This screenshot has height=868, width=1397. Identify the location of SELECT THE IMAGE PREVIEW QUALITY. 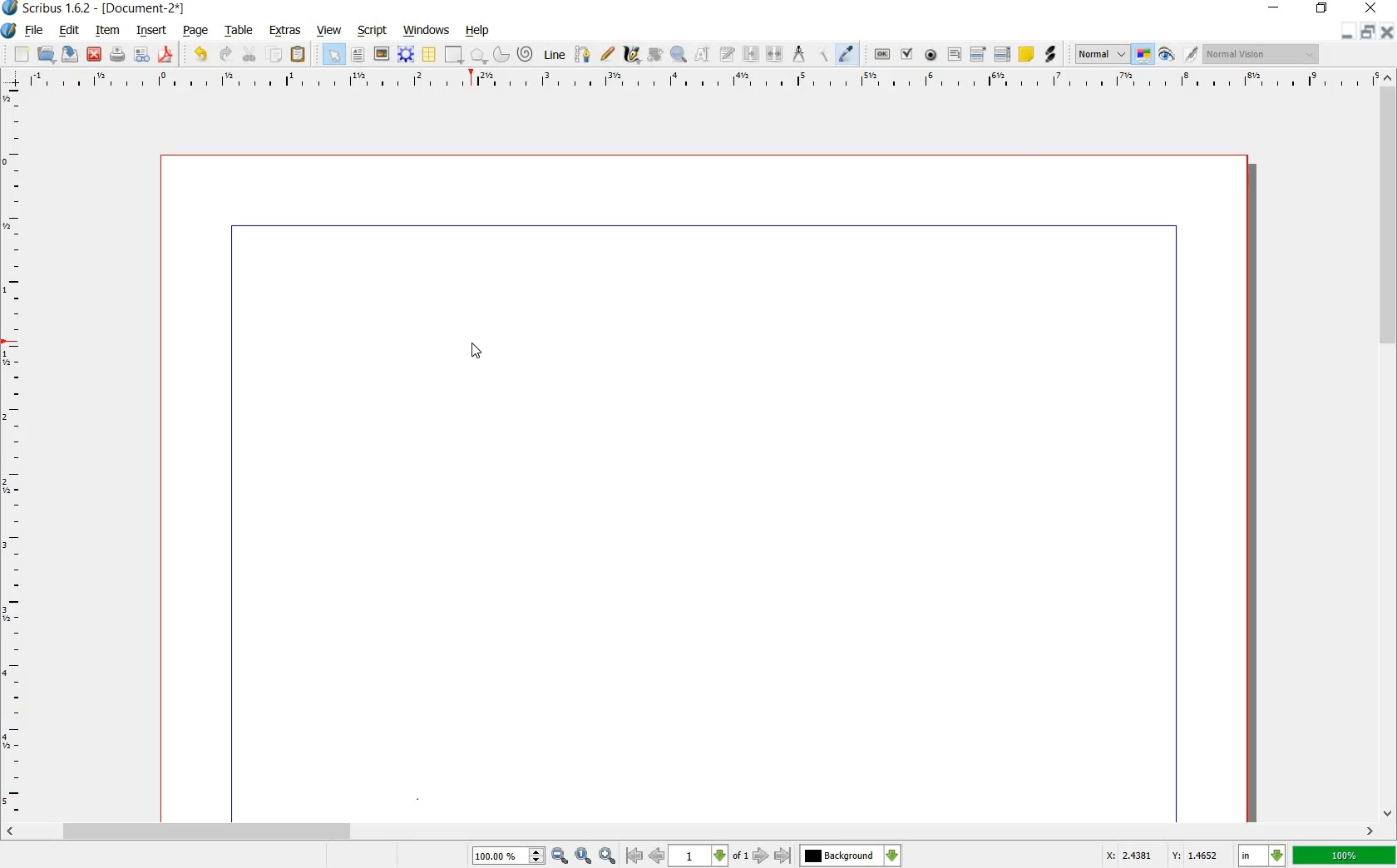
(1098, 54).